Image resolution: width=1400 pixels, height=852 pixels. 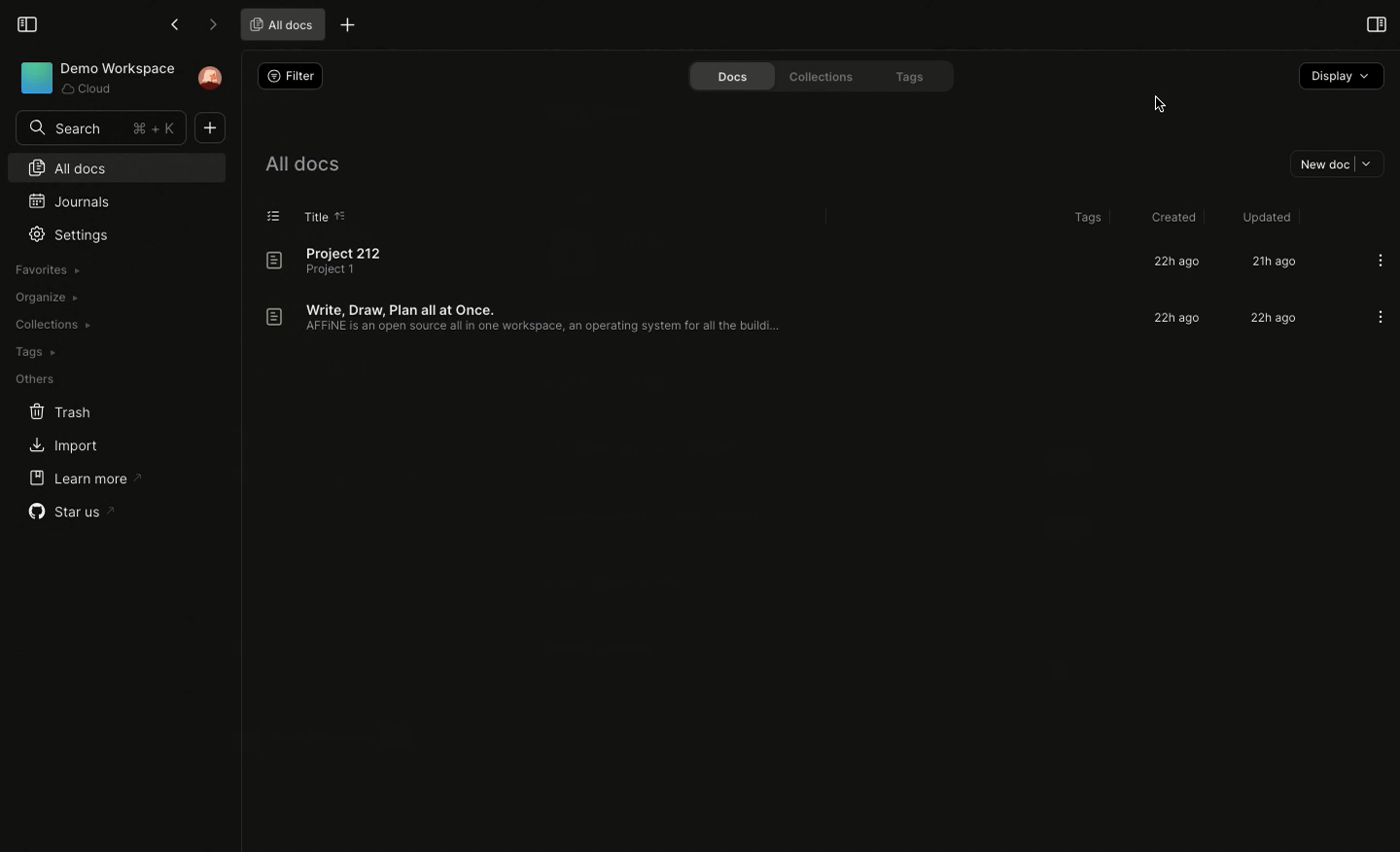 I want to click on All docs, so click(x=279, y=23).